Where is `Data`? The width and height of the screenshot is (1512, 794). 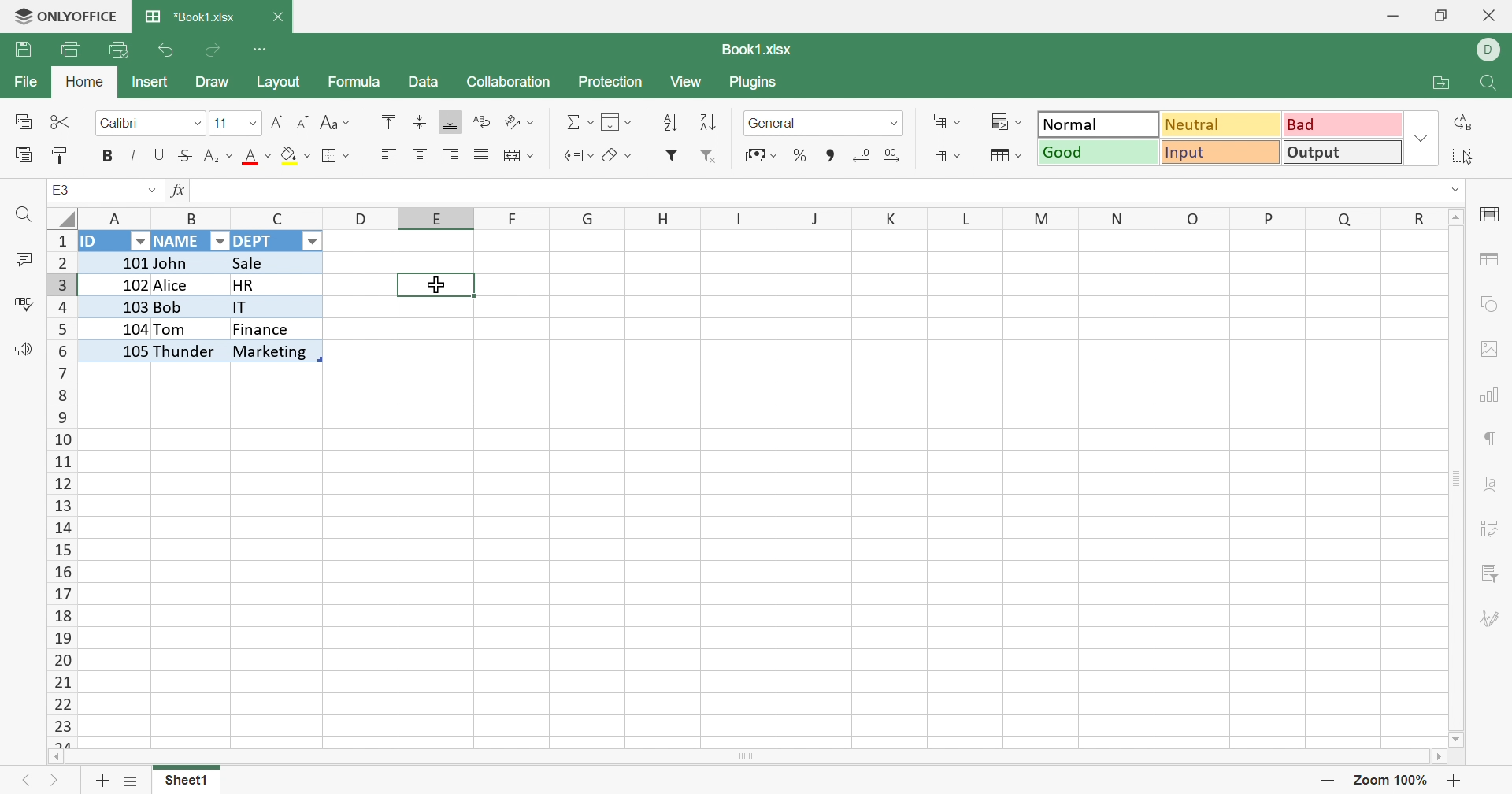 Data is located at coordinates (426, 82).